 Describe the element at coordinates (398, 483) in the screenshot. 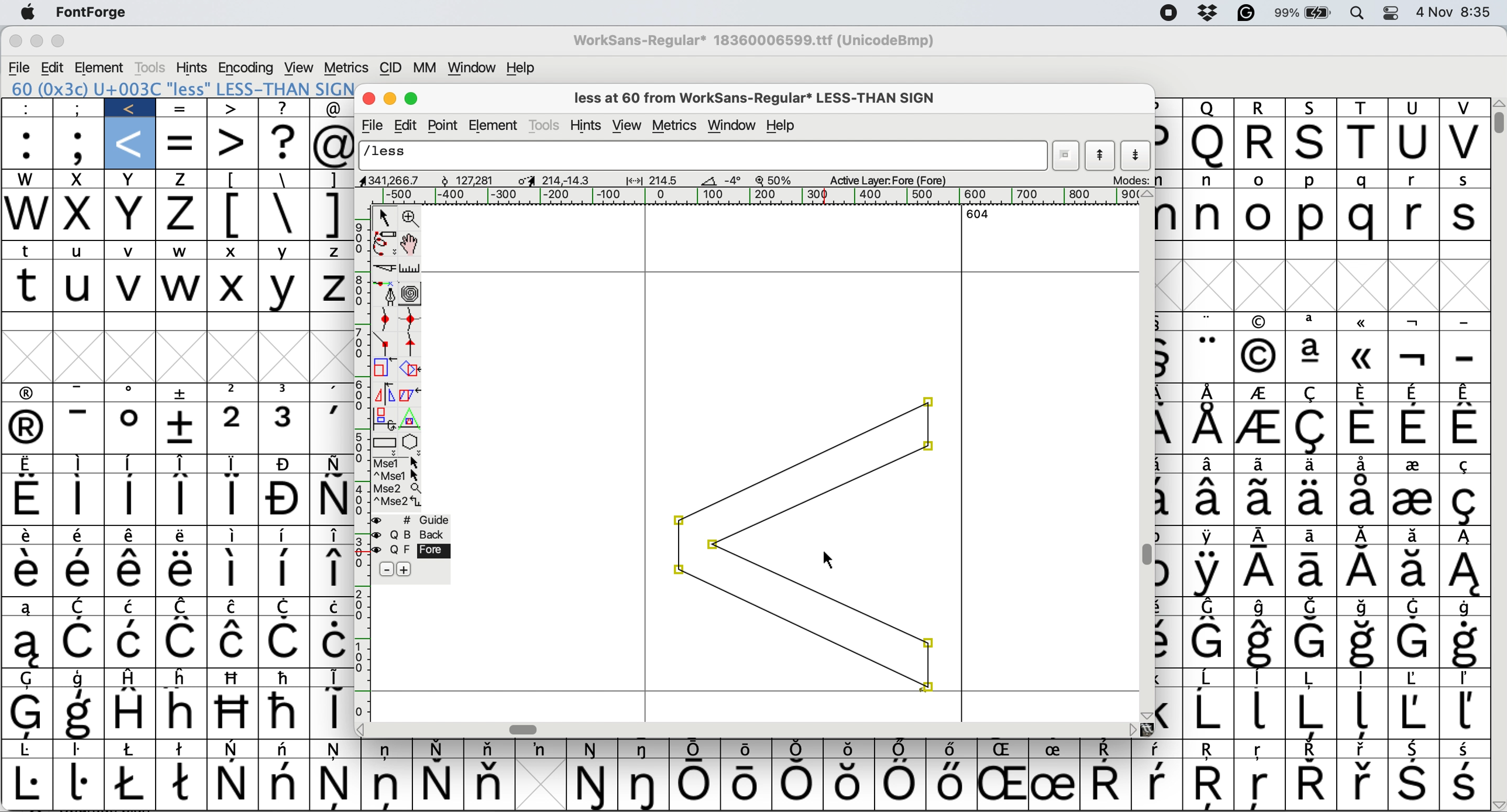

I see `more options` at that location.